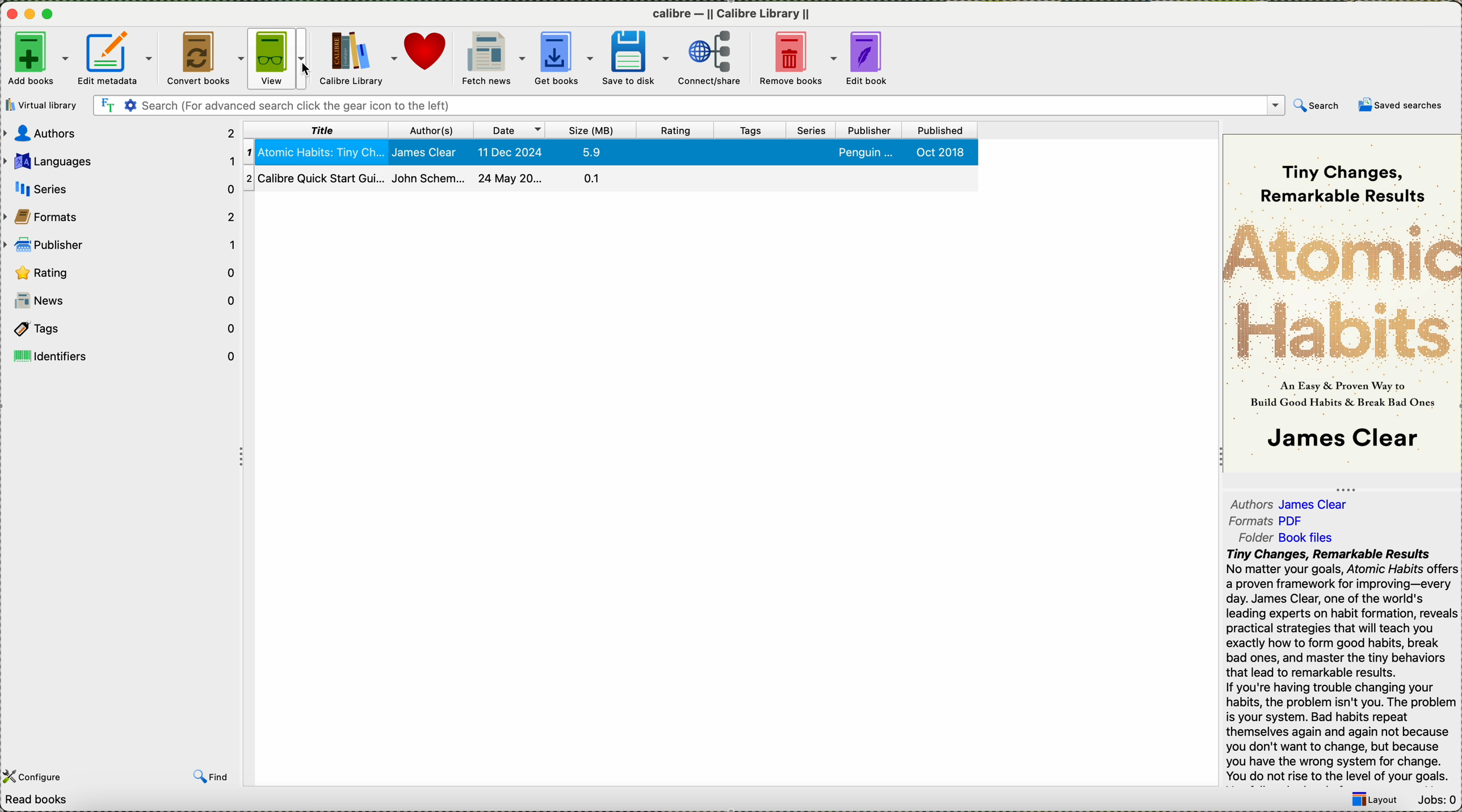 The height and width of the screenshot is (812, 1462). What do you see at coordinates (511, 131) in the screenshot?
I see `date` at bounding box center [511, 131].